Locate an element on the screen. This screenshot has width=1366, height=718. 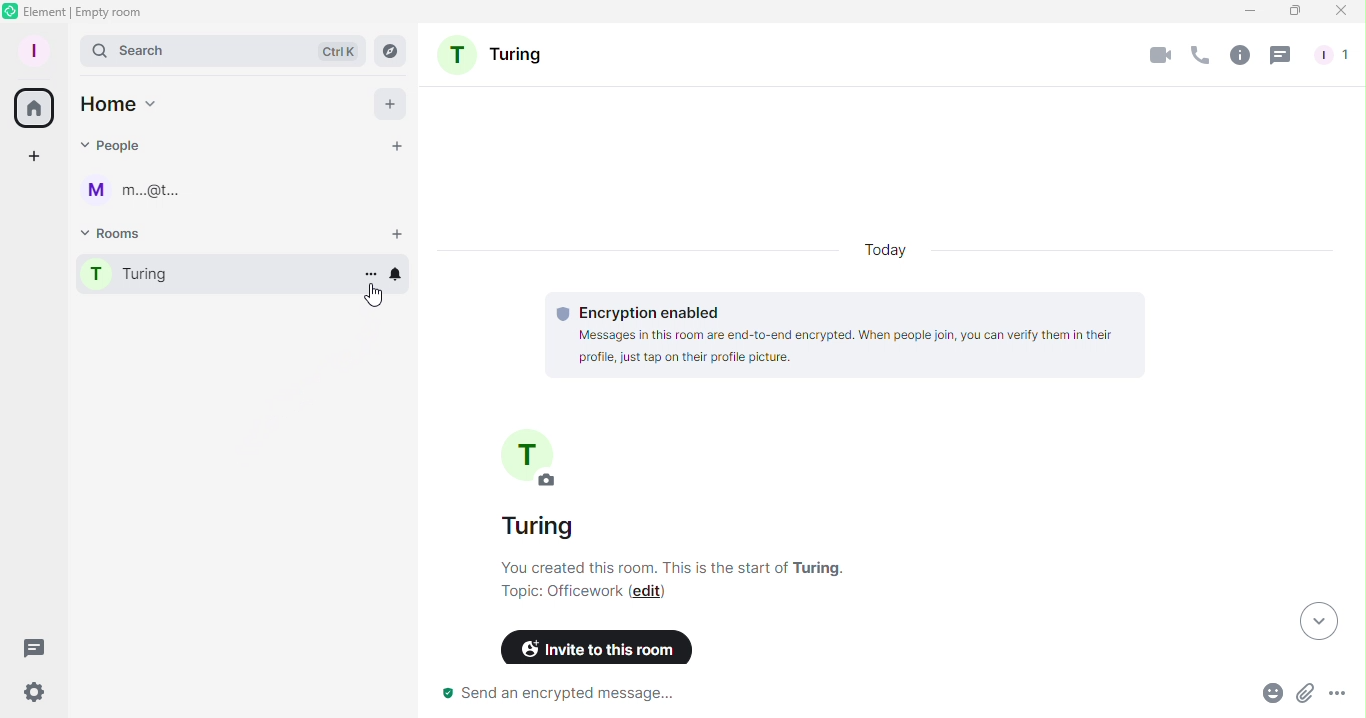
Turing room is located at coordinates (529, 457).